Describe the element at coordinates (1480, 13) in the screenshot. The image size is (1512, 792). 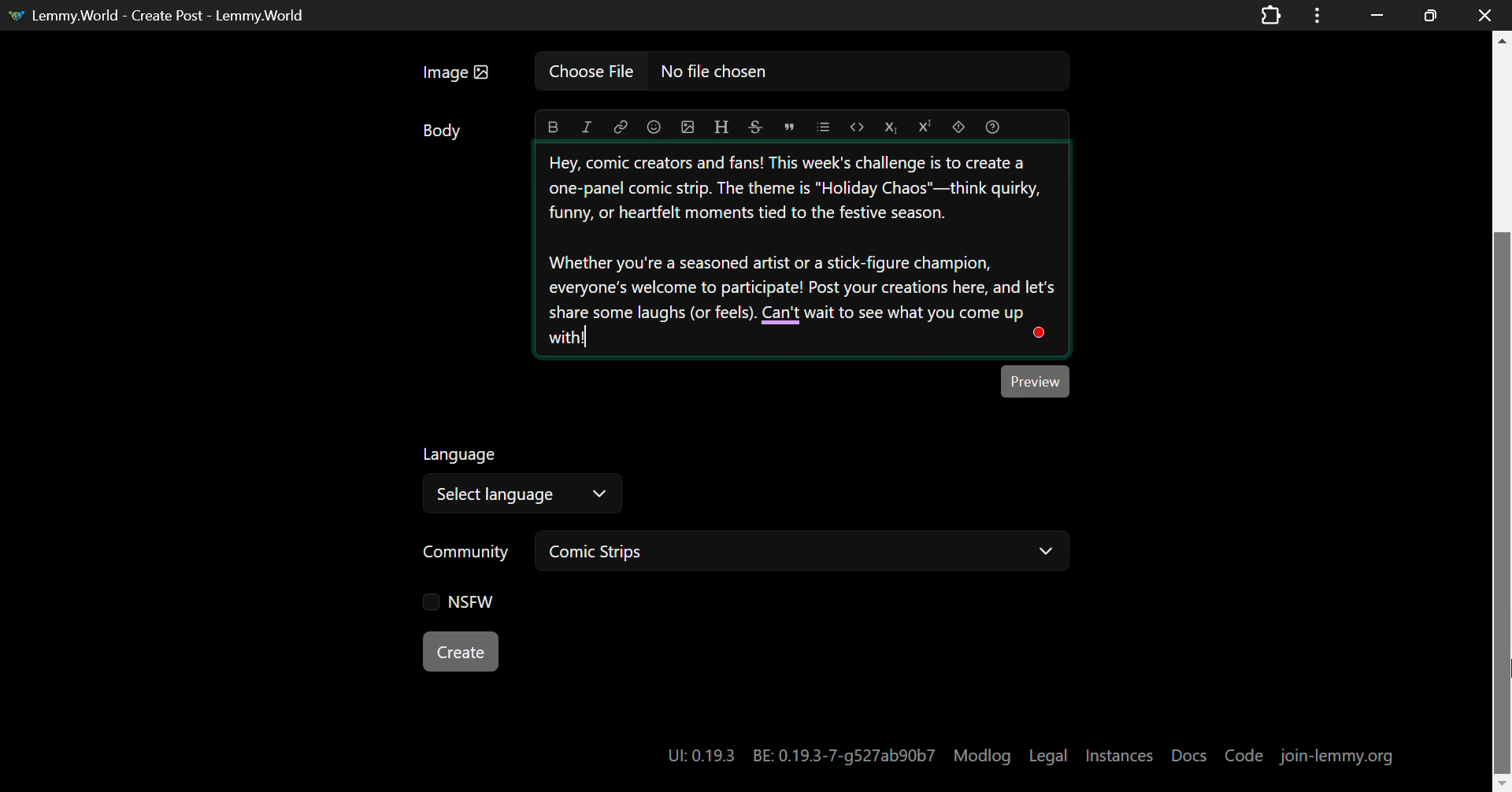
I see `Close Window` at that location.